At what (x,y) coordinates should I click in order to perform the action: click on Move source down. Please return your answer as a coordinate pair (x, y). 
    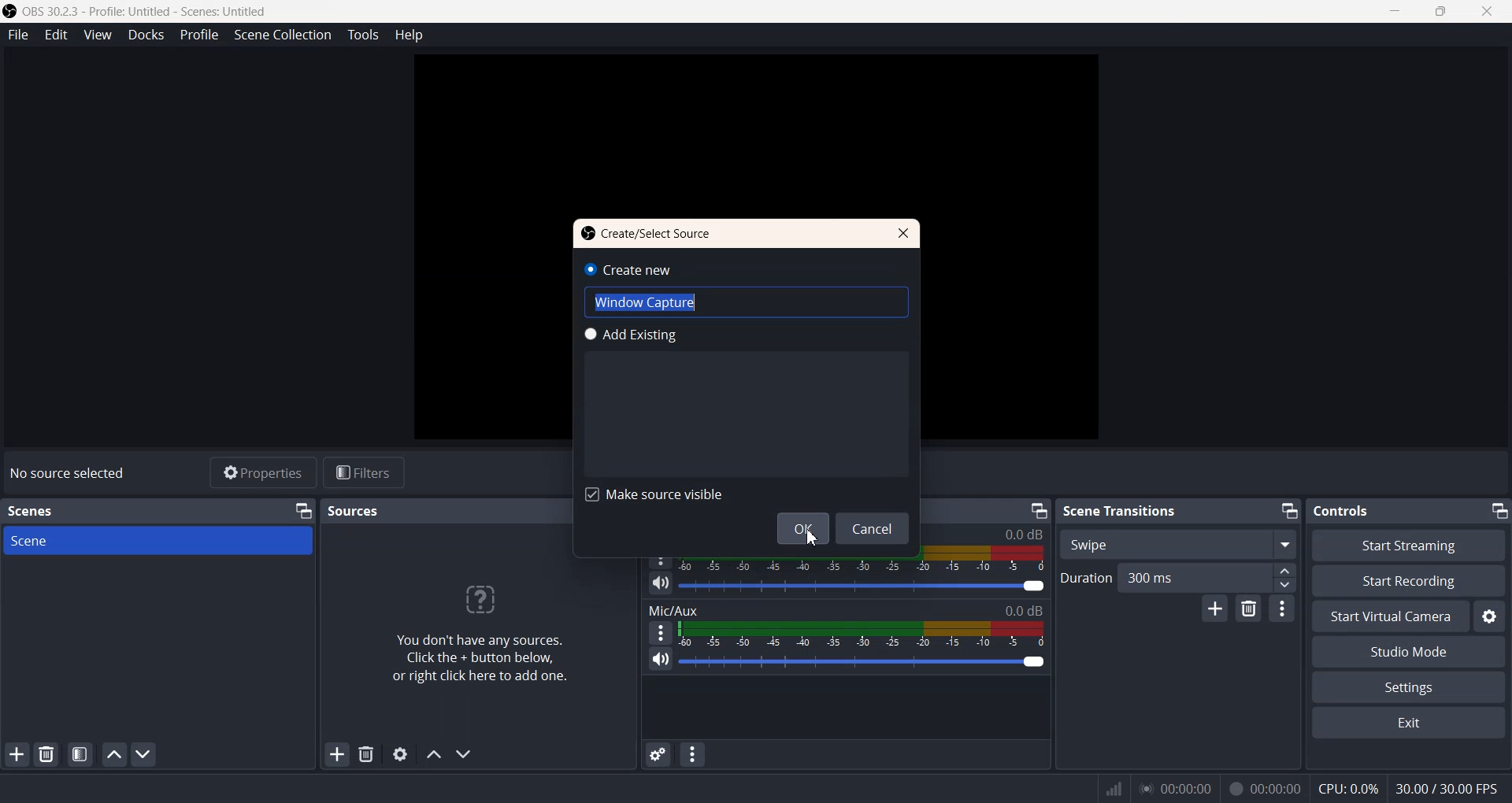
    Looking at the image, I should click on (463, 754).